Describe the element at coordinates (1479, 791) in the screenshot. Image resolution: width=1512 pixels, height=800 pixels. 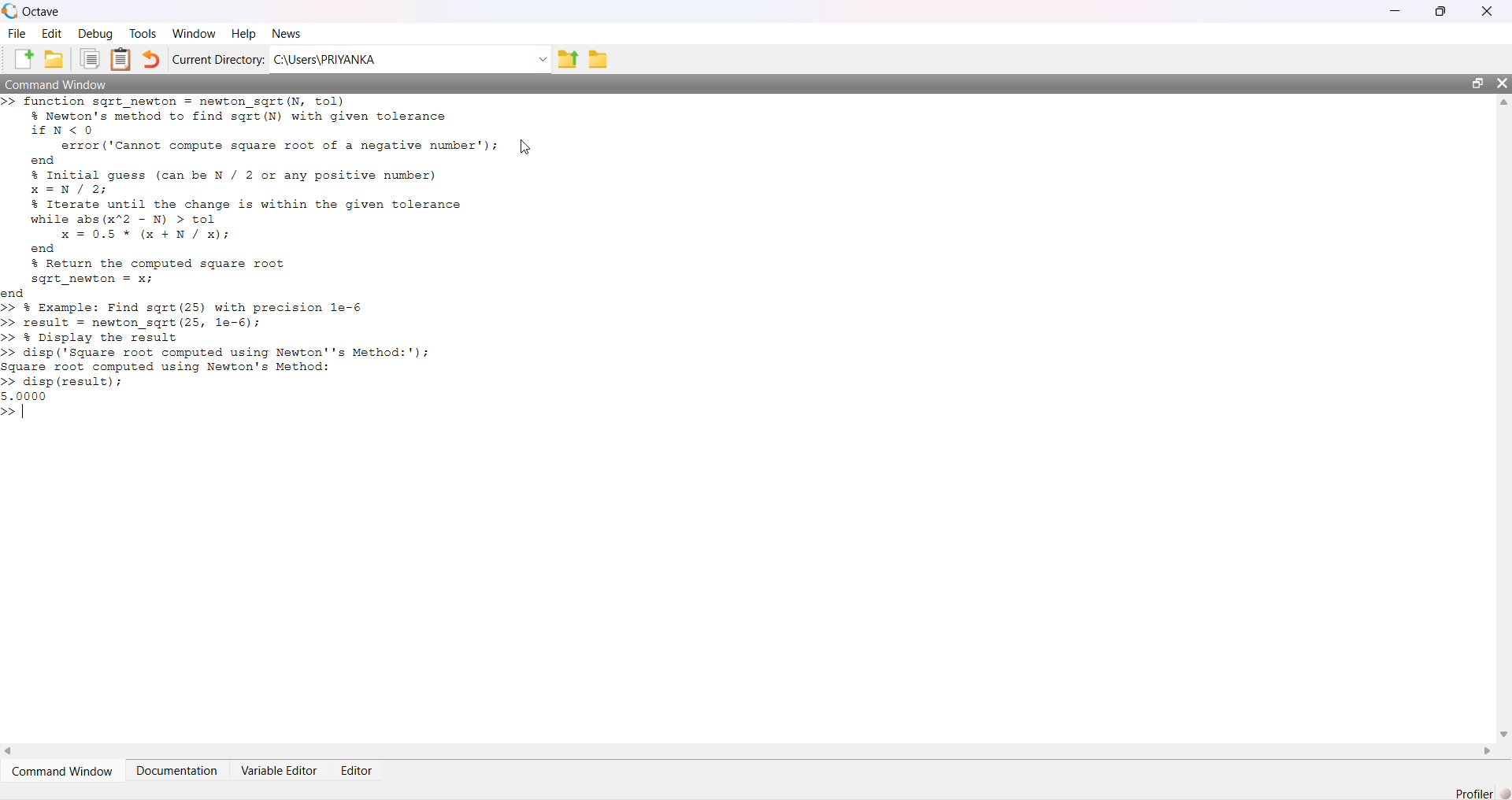
I see `Profiler` at that location.